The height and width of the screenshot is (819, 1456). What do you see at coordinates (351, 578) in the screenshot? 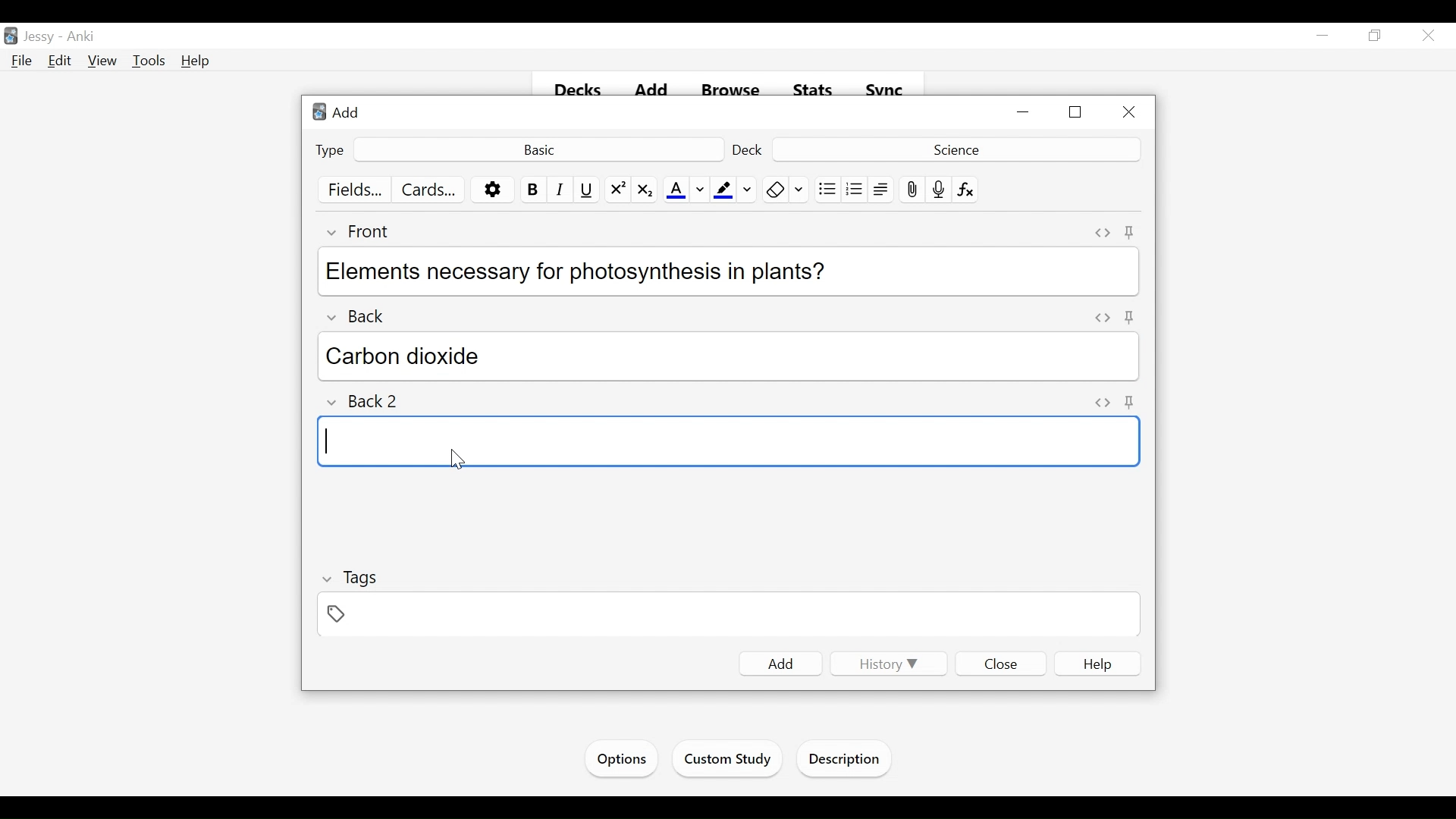
I see `Tags` at bounding box center [351, 578].